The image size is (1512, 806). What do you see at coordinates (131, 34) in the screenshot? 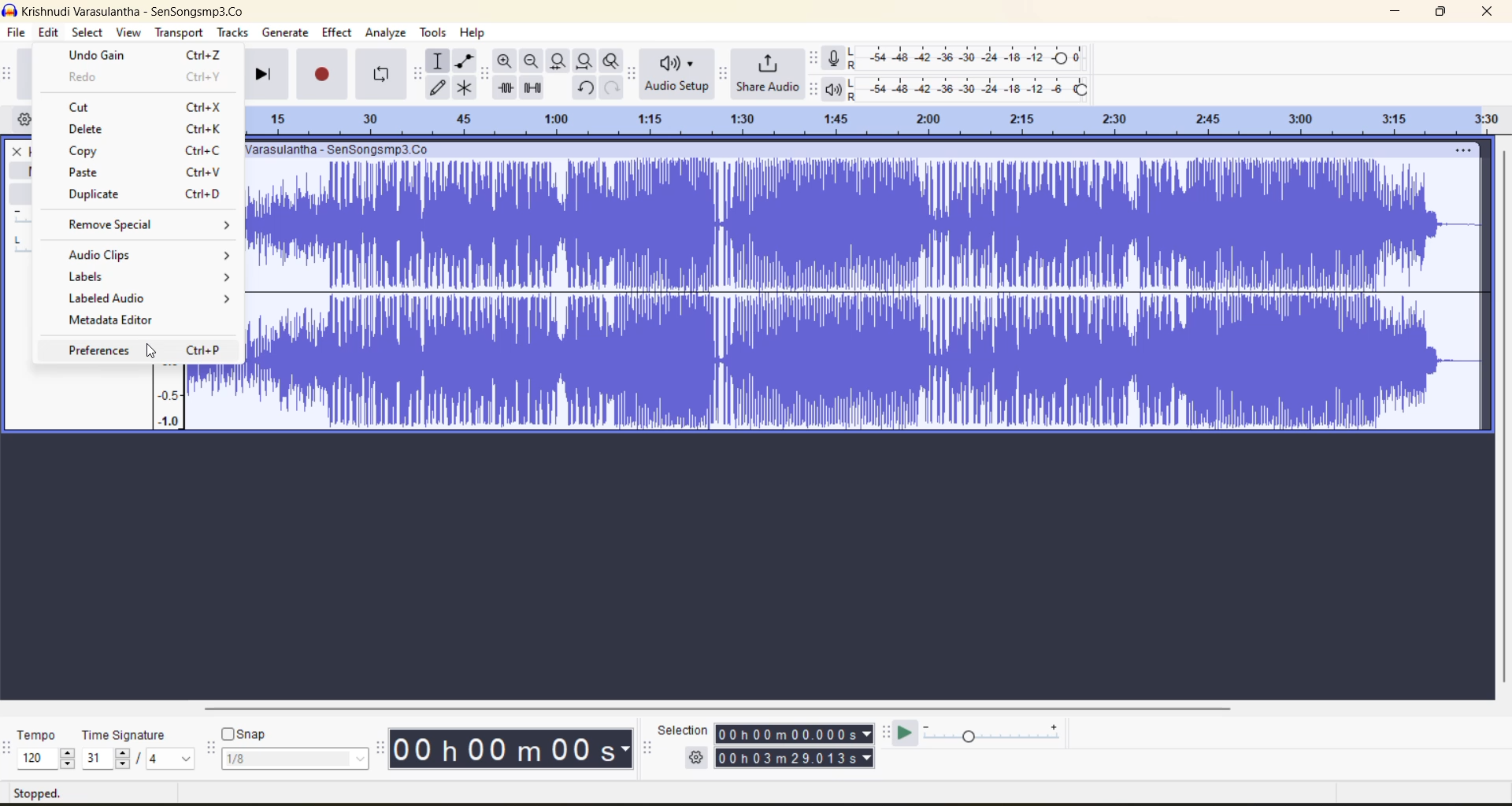
I see `view` at bounding box center [131, 34].